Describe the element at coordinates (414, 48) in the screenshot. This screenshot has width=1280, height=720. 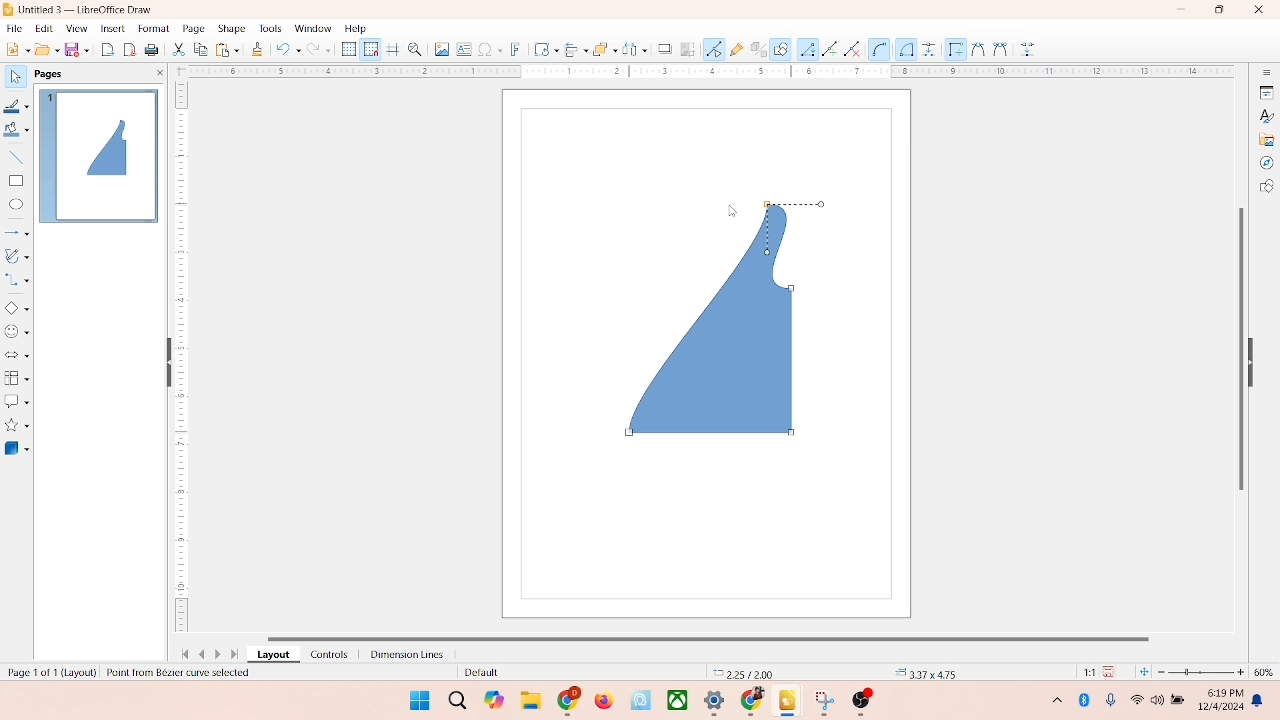
I see `zoom and pan` at that location.